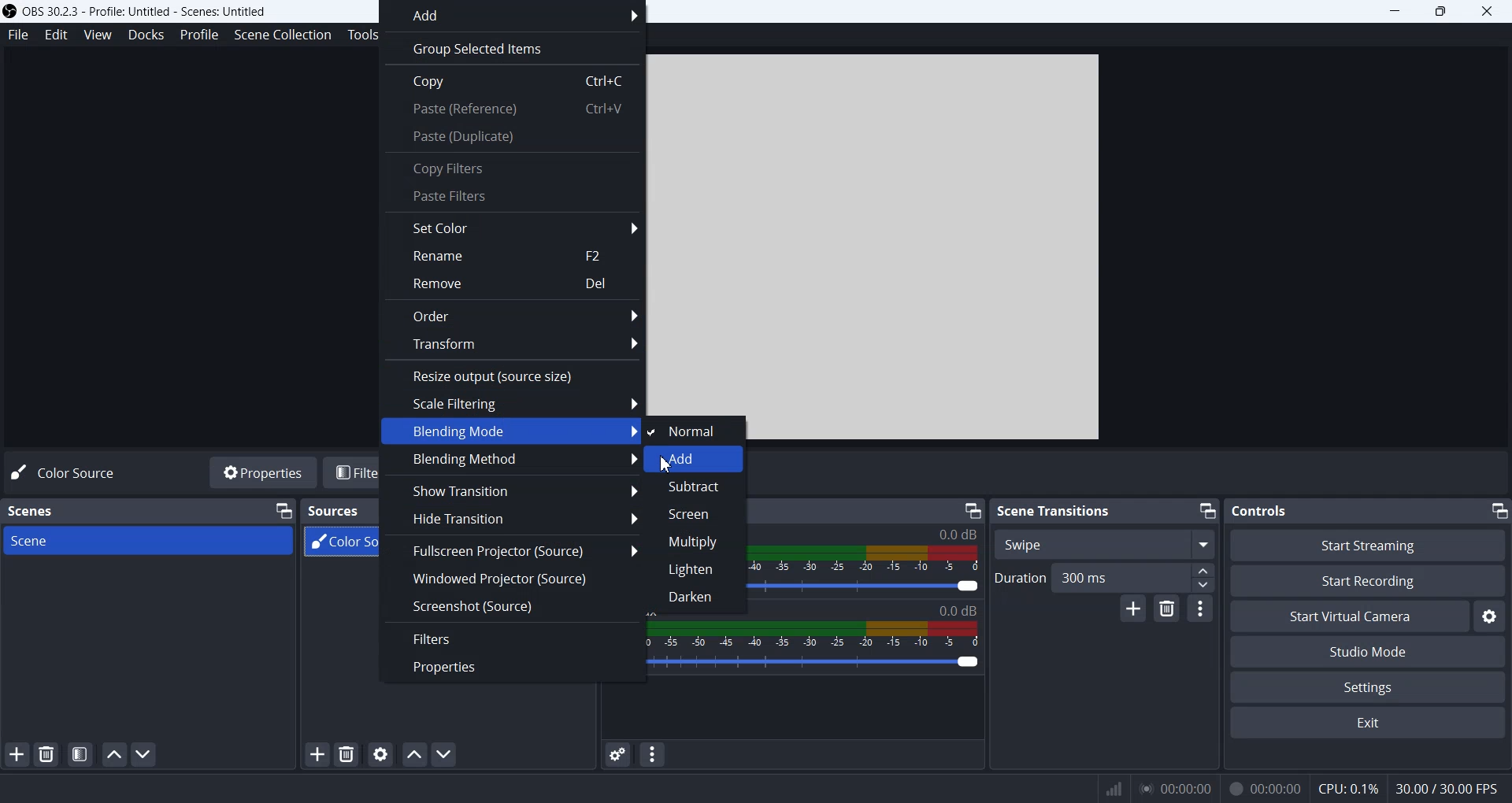 The image size is (1512, 803). I want to click on Exit, so click(1369, 724).